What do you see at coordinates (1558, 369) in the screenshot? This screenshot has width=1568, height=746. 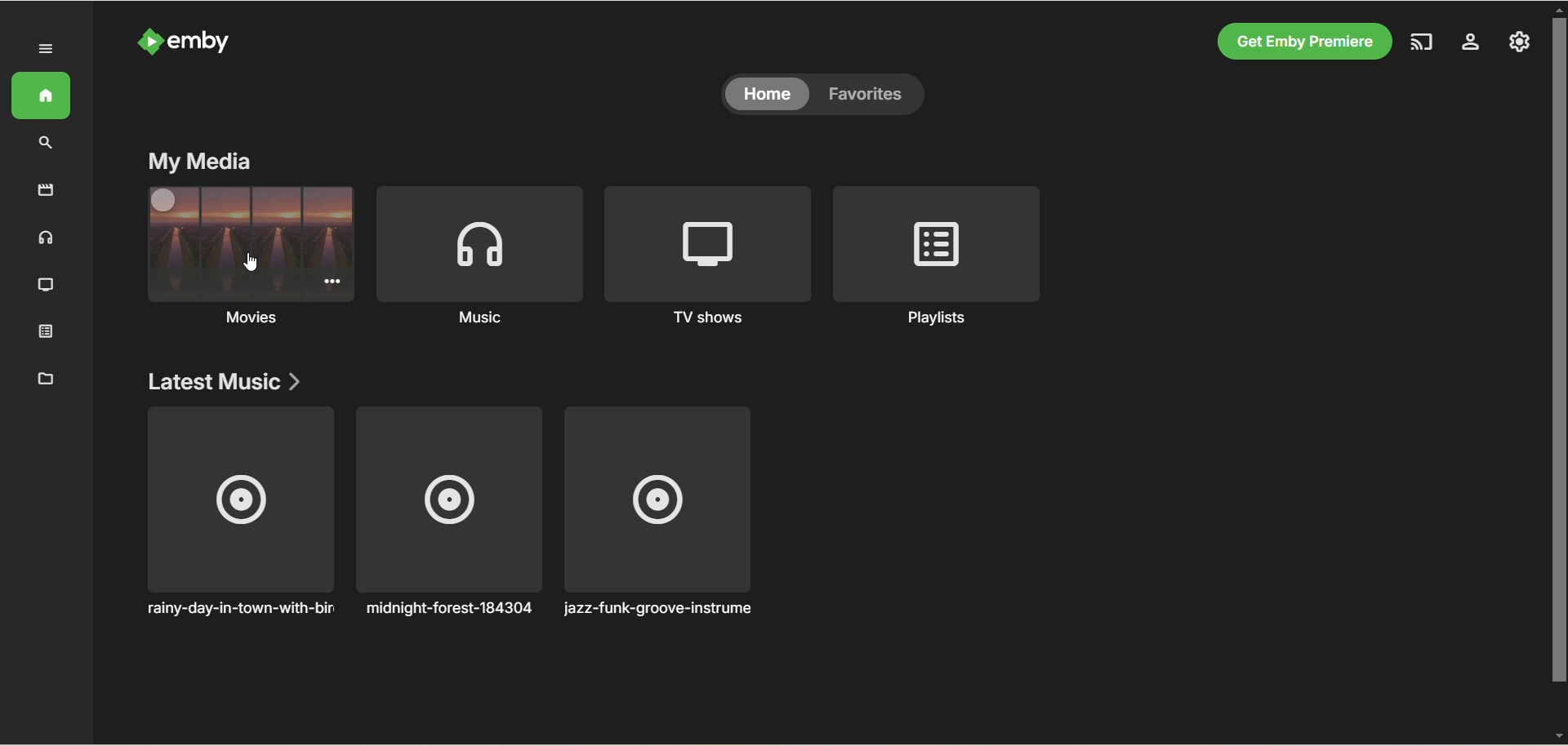 I see `vertical scroll bar` at bounding box center [1558, 369].